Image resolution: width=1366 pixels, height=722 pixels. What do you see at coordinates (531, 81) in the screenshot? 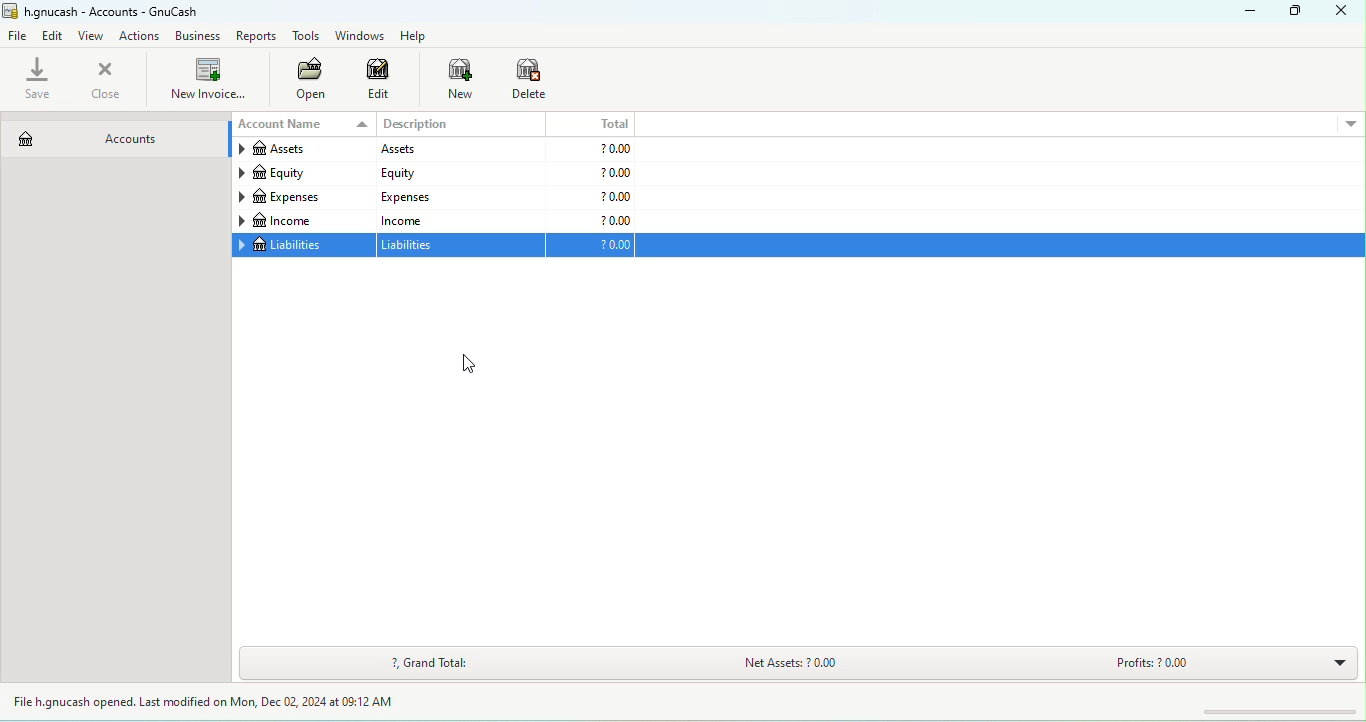
I see `delete` at bounding box center [531, 81].